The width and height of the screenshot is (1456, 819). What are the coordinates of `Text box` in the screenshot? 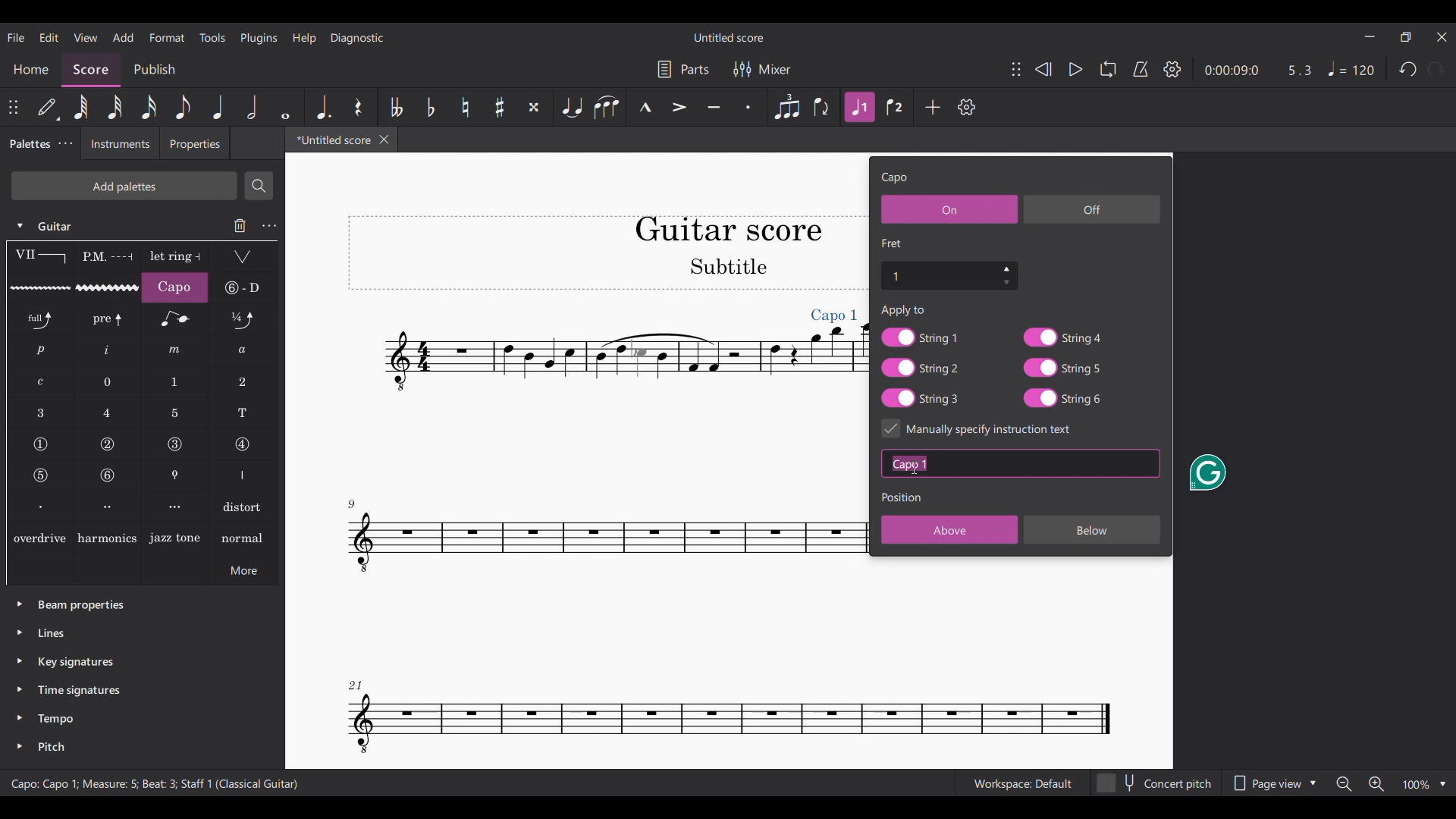 It's located at (1046, 463).